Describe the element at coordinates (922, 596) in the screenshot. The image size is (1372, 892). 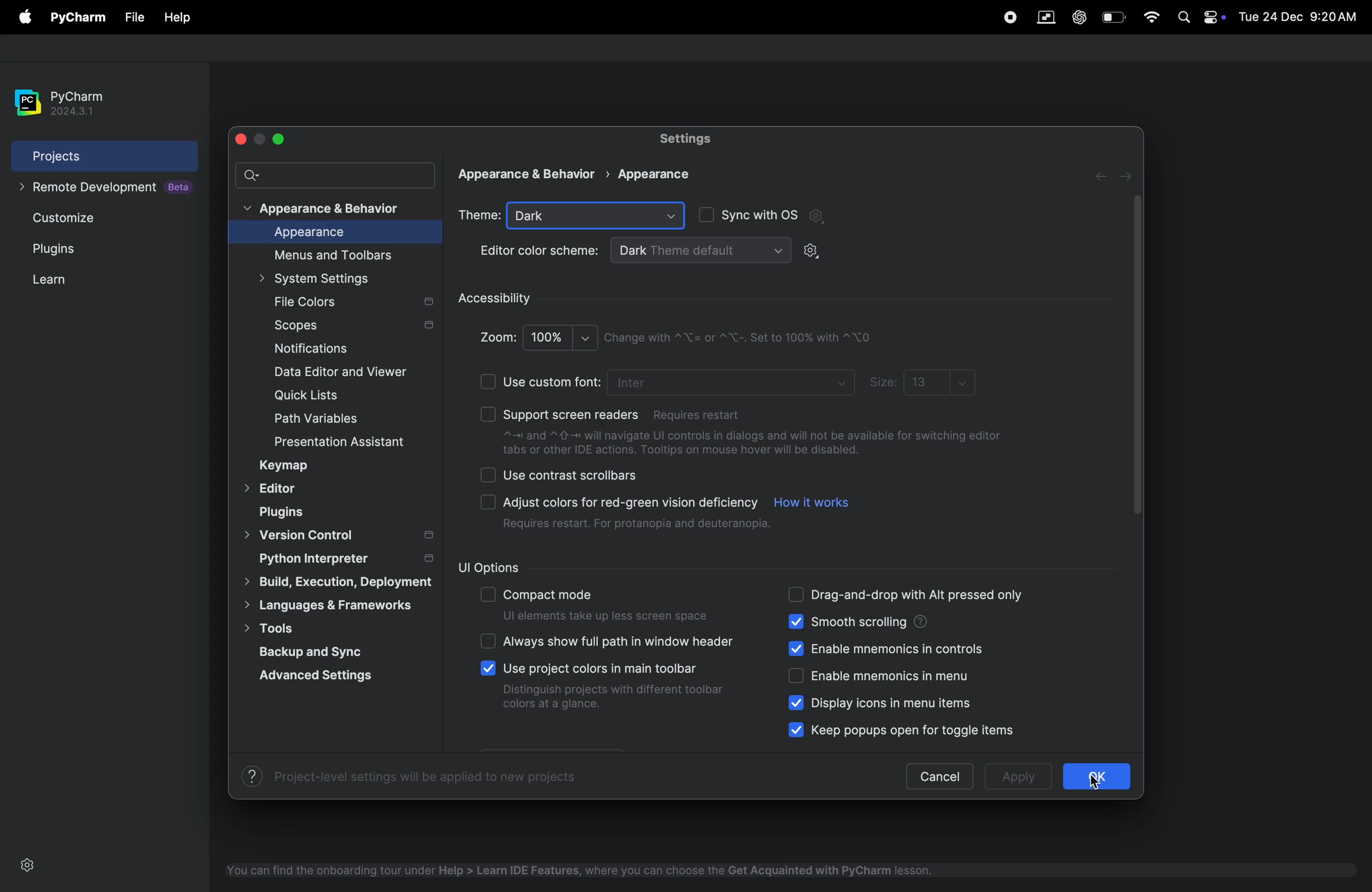
I see `drag and drop with alt only` at that location.